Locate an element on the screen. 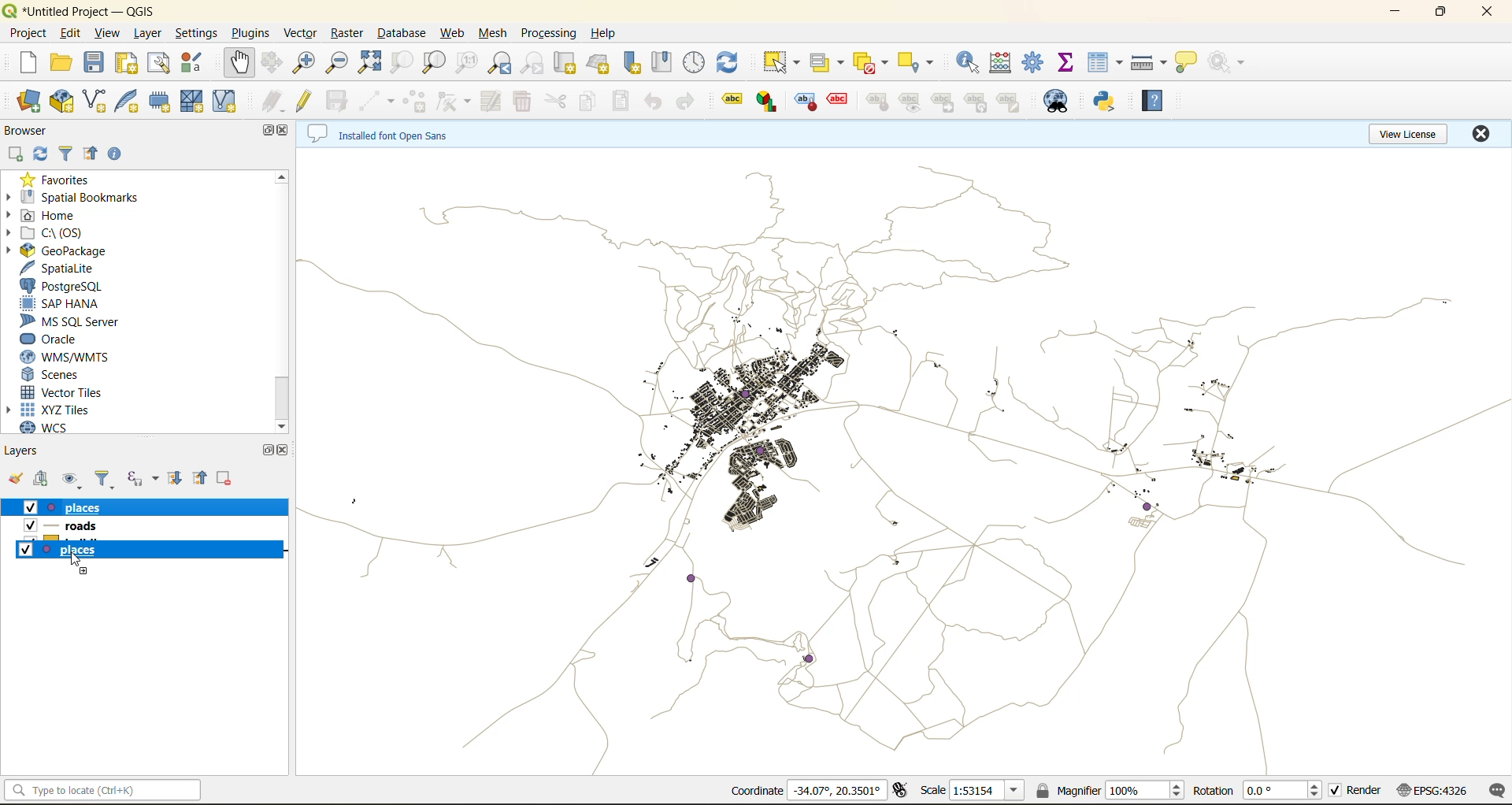  spatialite is located at coordinates (76, 269).